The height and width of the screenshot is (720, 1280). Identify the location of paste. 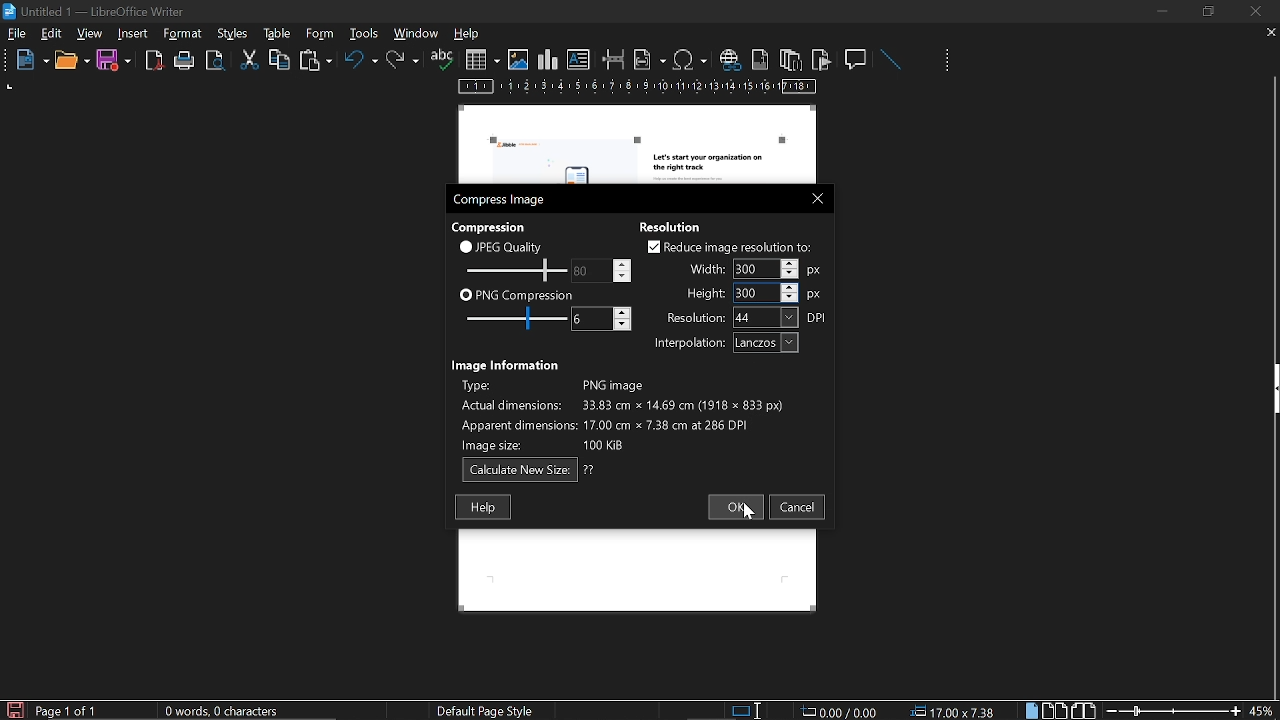
(314, 62).